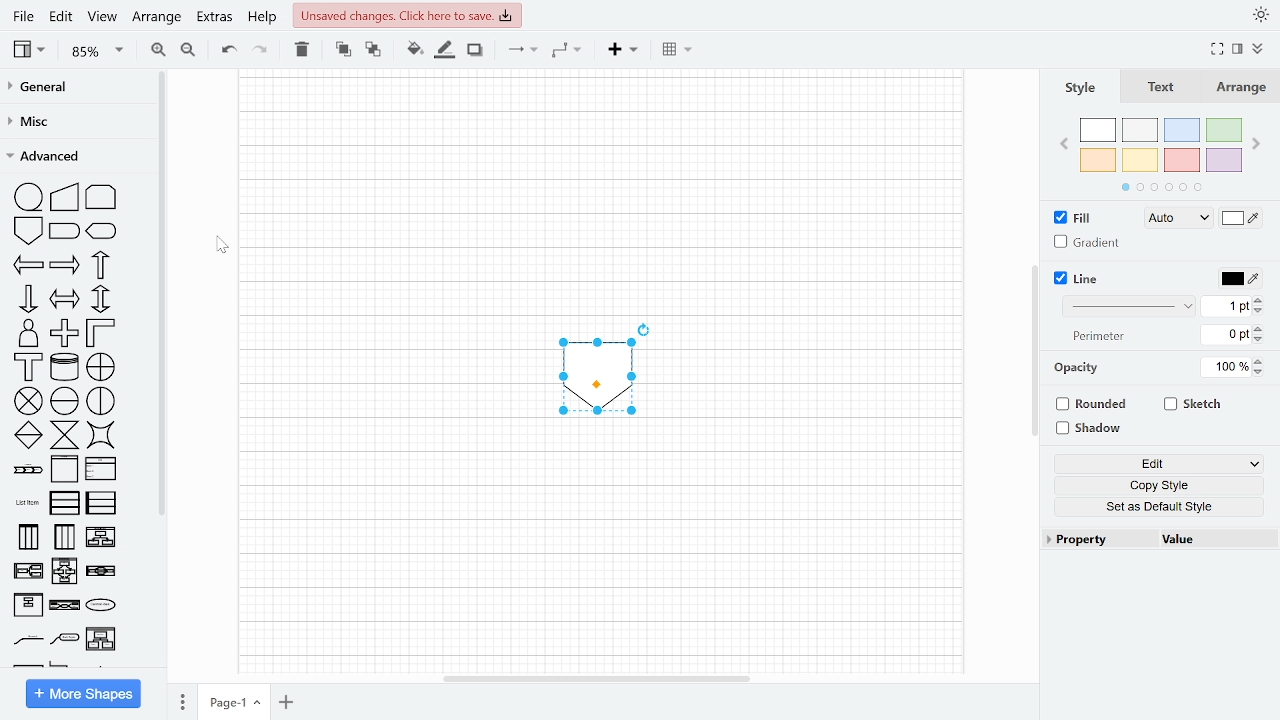 The width and height of the screenshot is (1280, 720). What do you see at coordinates (103, 538) in the screenshot?
I see `vertical tree layout` at bounding box center [103, 538].